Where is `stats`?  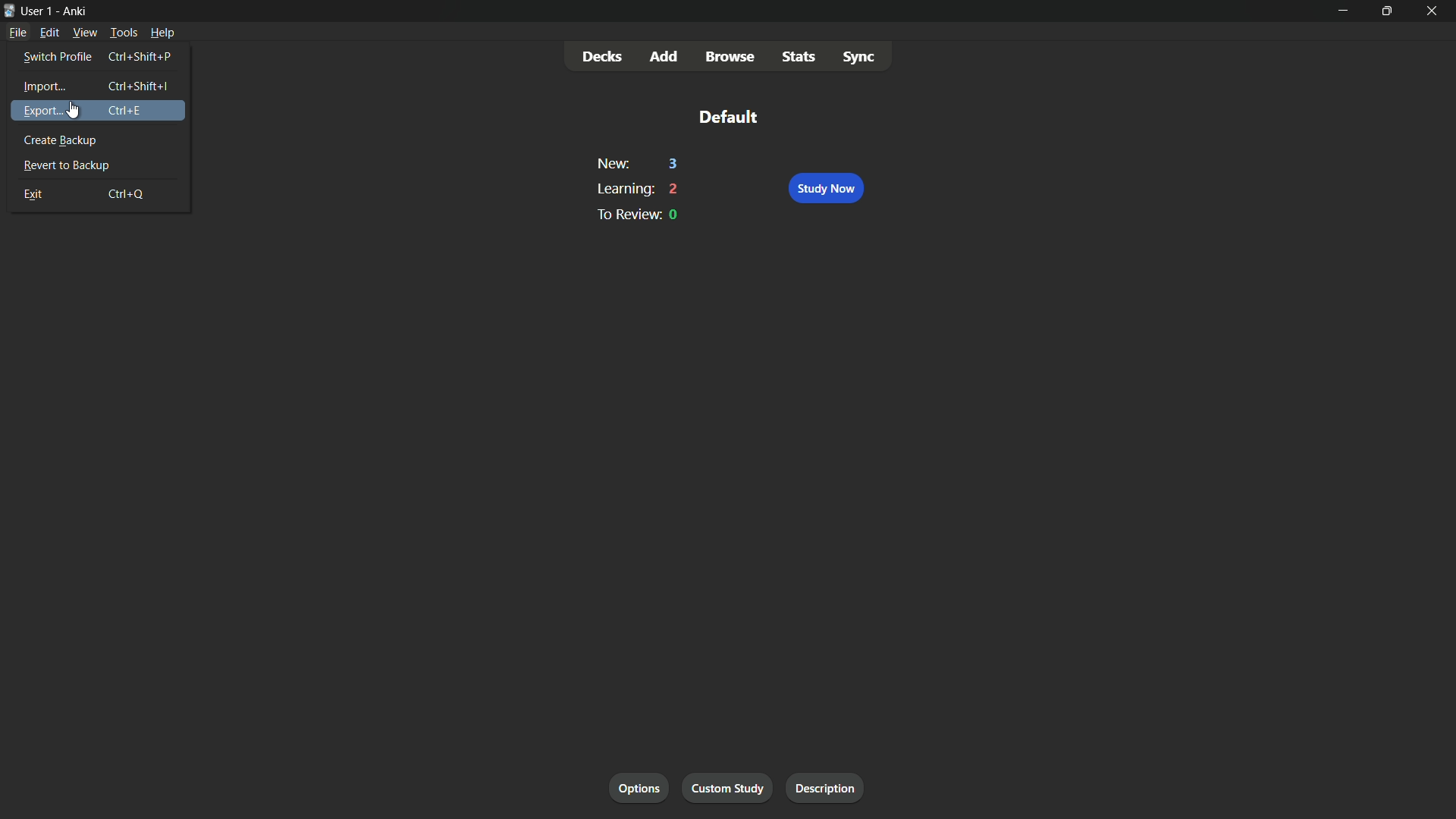
stats is located at coordinates (800, 55).